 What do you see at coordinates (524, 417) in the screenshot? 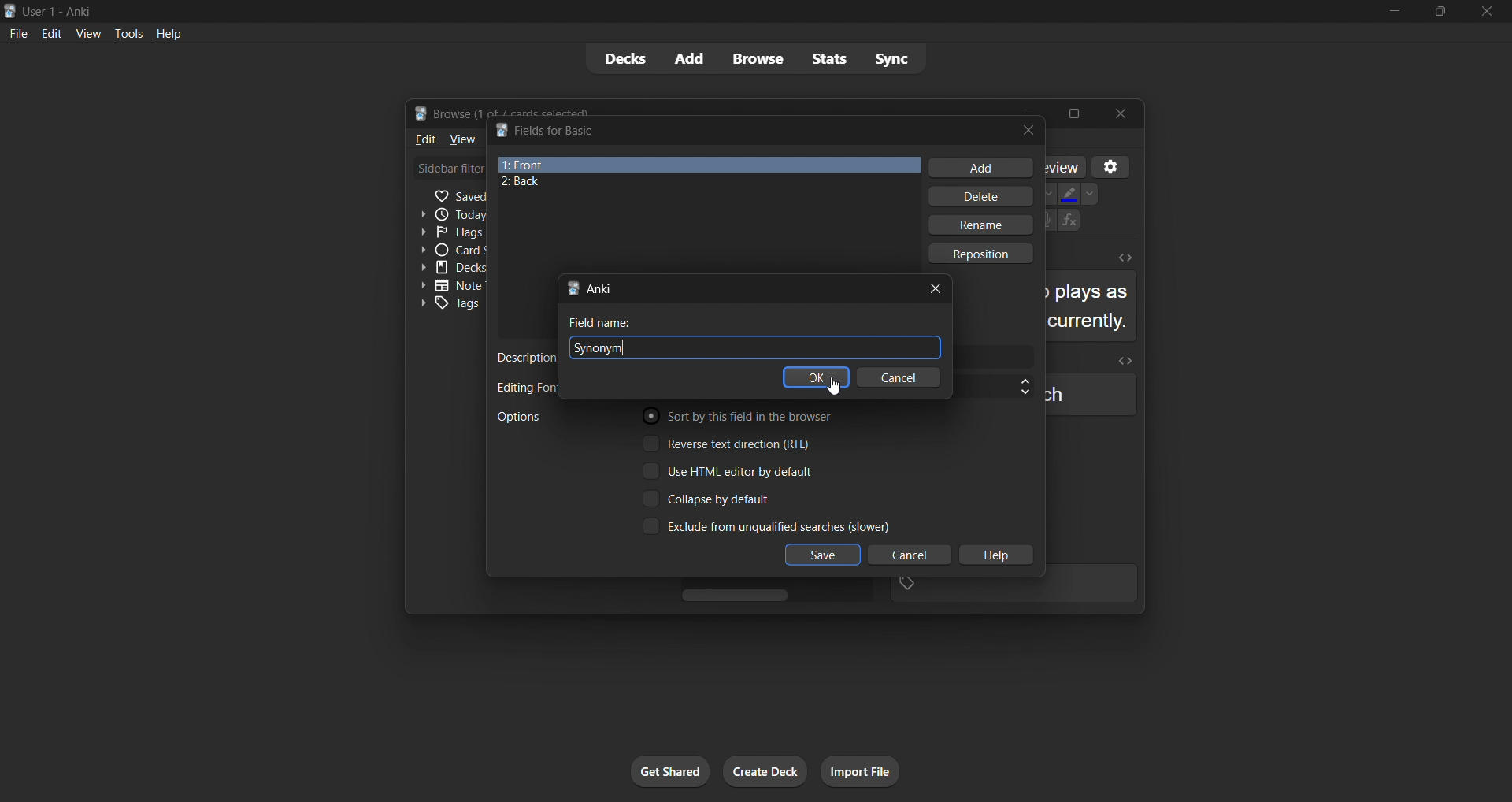
I see `Options` at bounding box center [524, 417].